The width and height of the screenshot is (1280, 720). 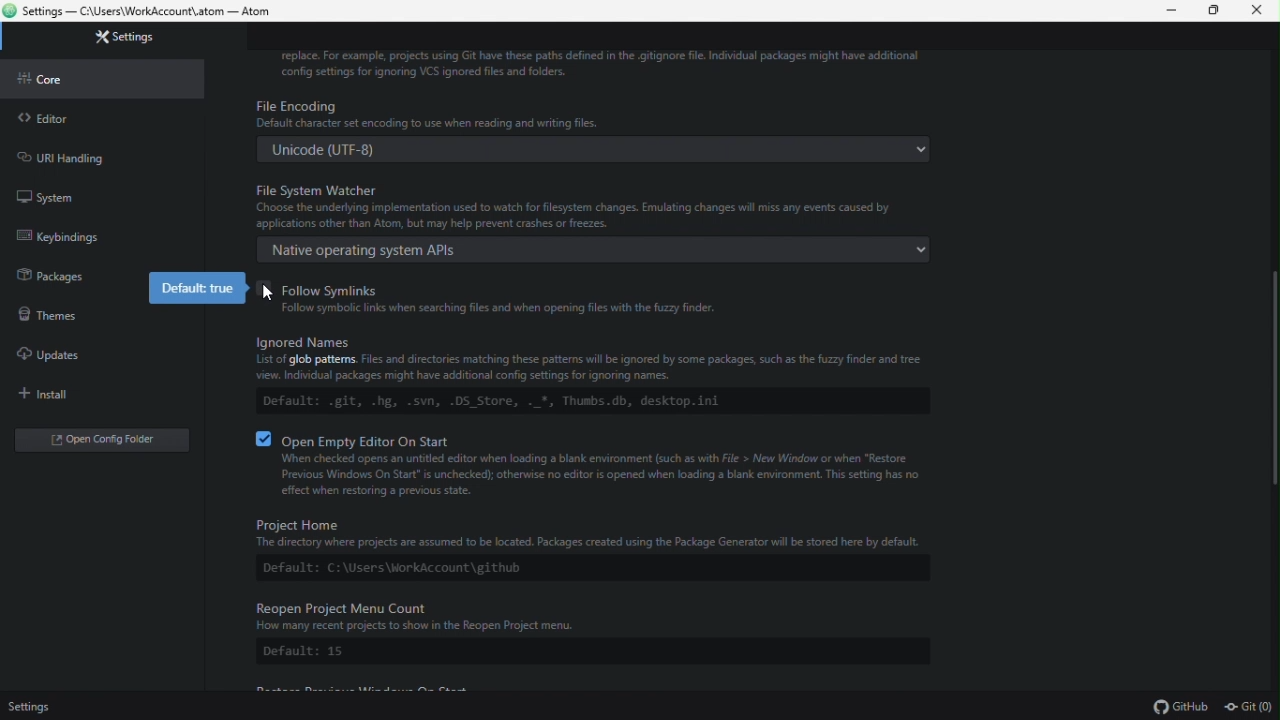 I want to click on Themes, so click(x=42, y=312).